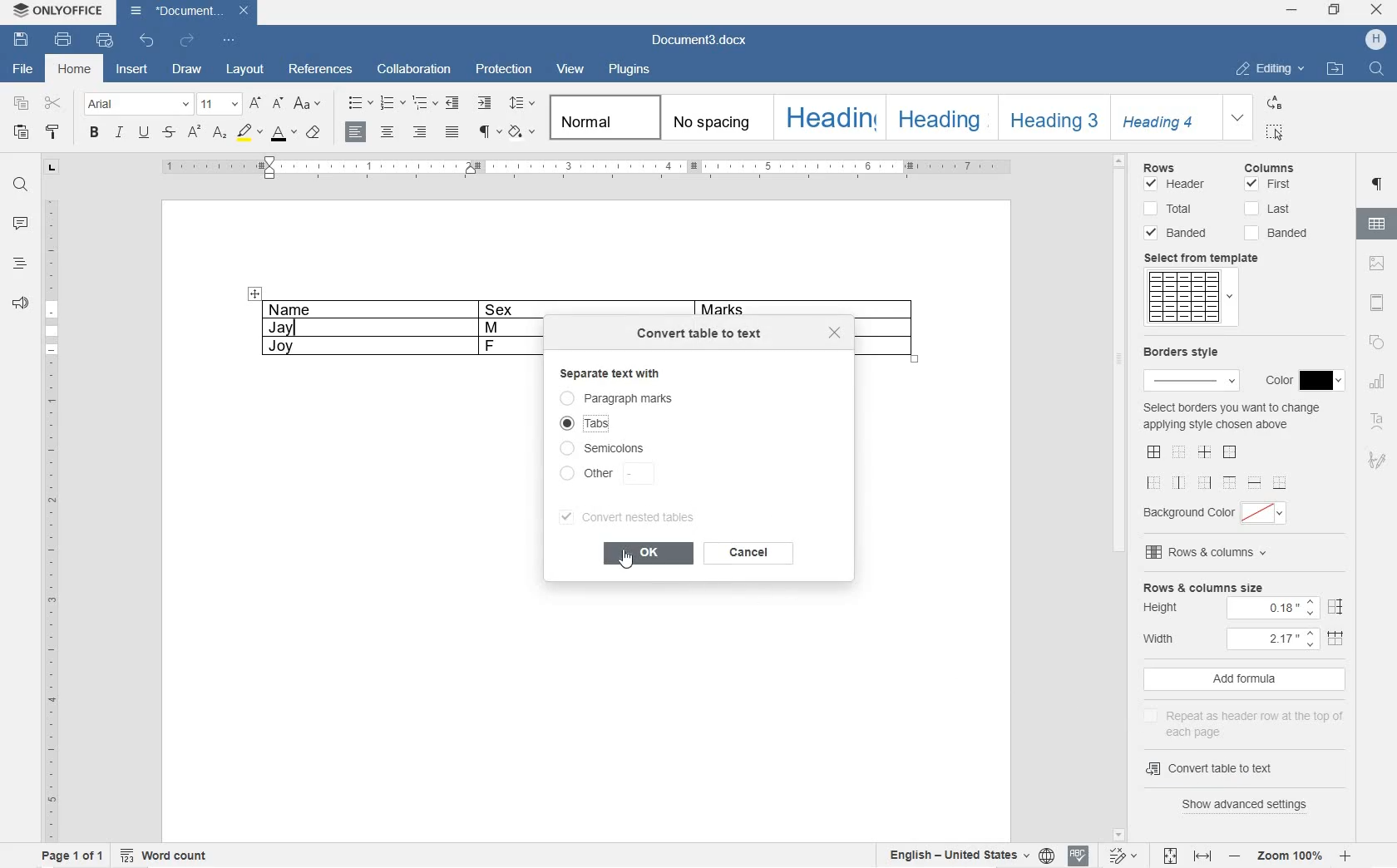 The width and height of the screenshot is (1397, 868). Describe the element at coordinates (969, 856) in the screenshot. I see `SET TEXT OR DOCUMENT LANGUAGE` at that location.